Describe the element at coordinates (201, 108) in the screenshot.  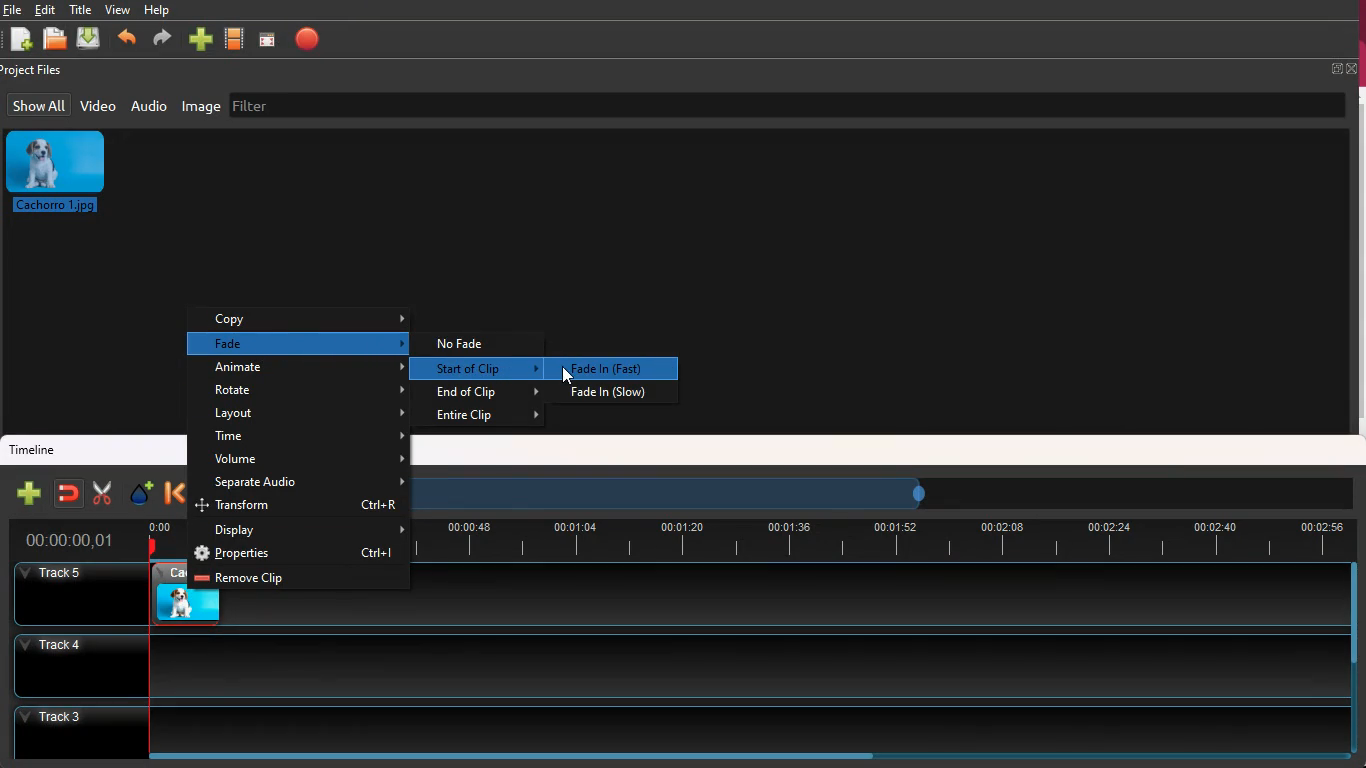
I see `image` at that location.